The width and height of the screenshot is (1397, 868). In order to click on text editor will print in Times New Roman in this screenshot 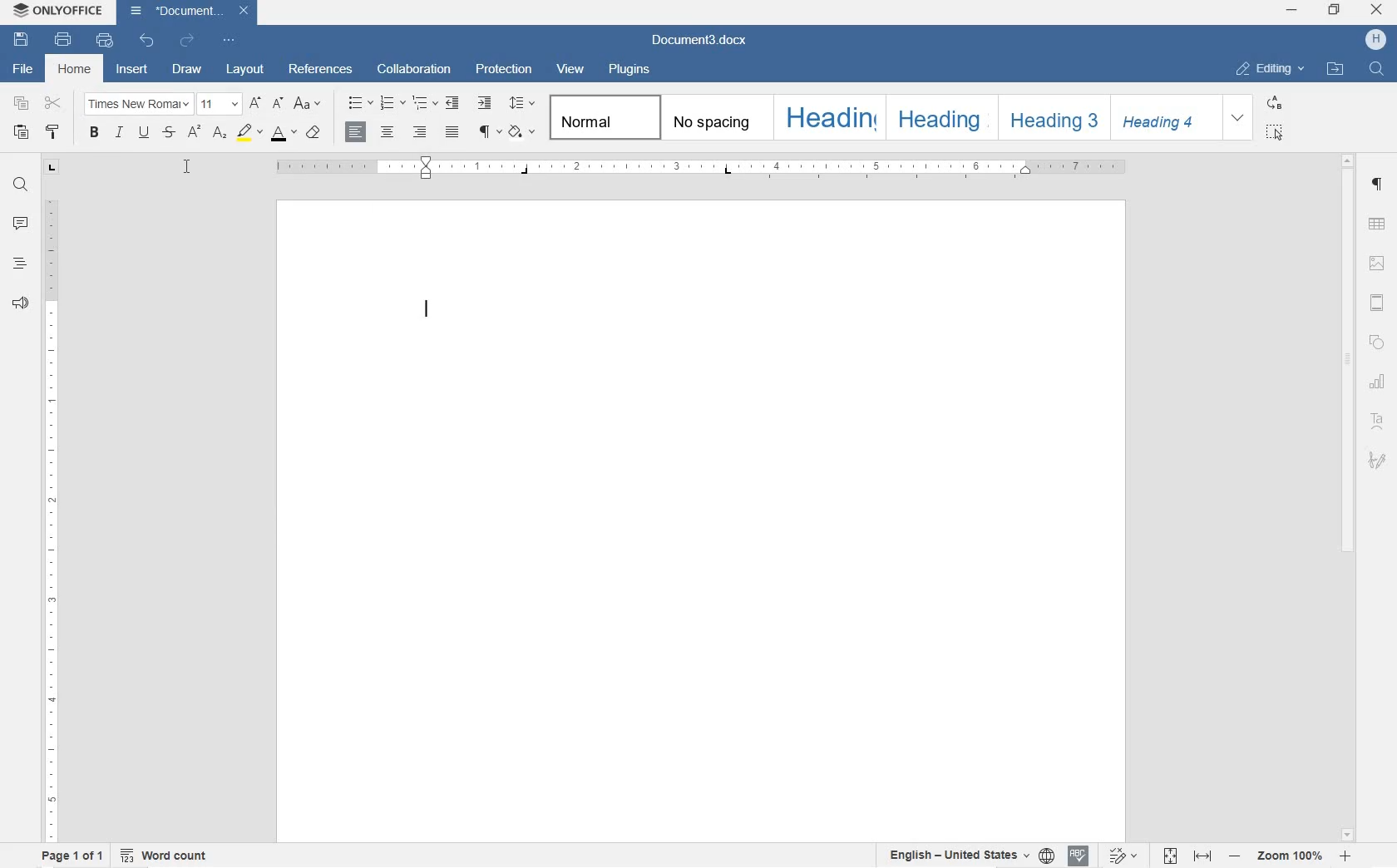, I will do `click(427, 313)`.